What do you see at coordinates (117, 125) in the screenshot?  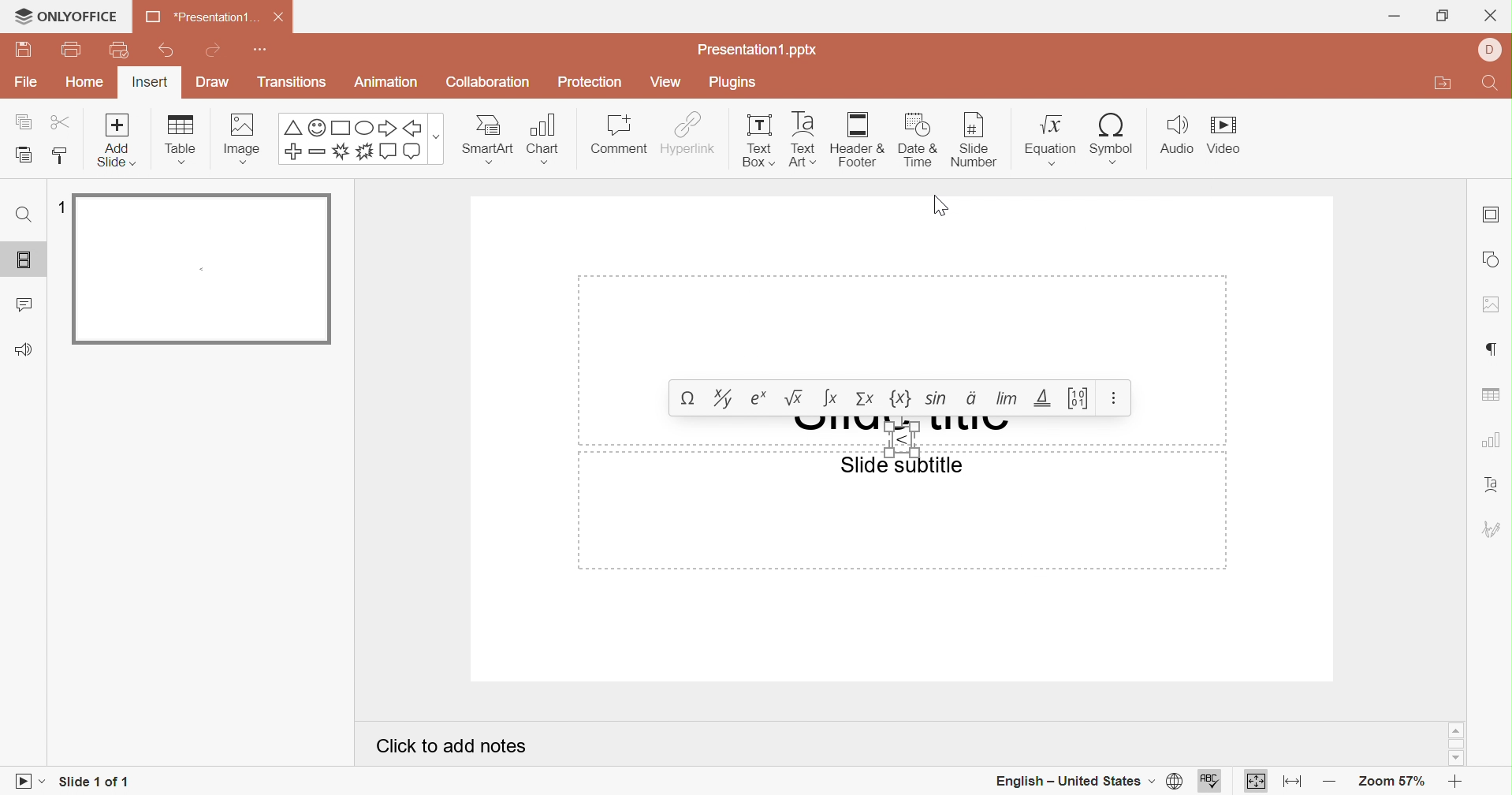 I see `add slide` at bounding box center [117, 125].